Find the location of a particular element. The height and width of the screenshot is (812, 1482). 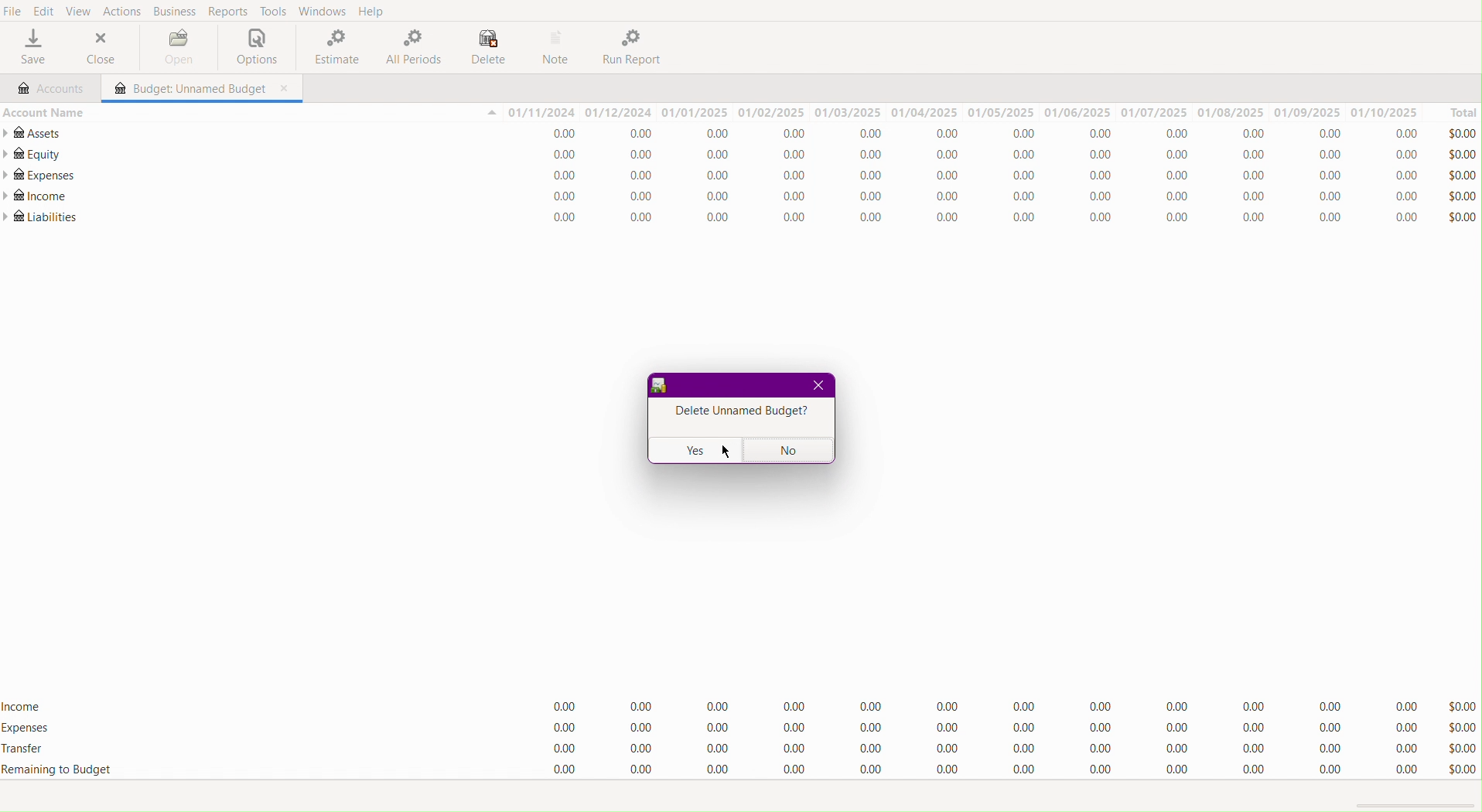

Assets Values is located at coordinates (983, 135).